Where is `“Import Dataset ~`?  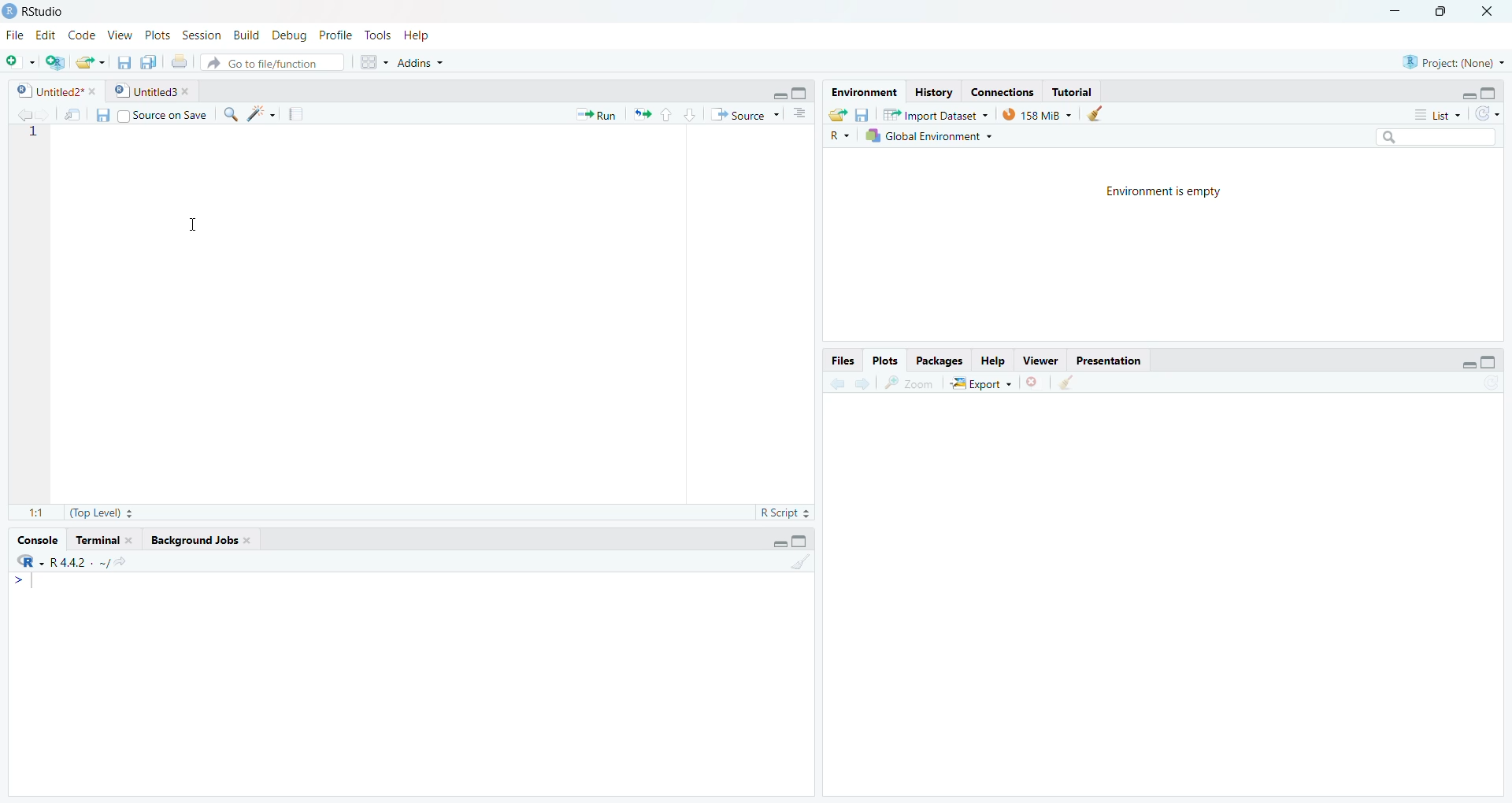 “Import Dataset ~ is located at coordinates (935, 114).